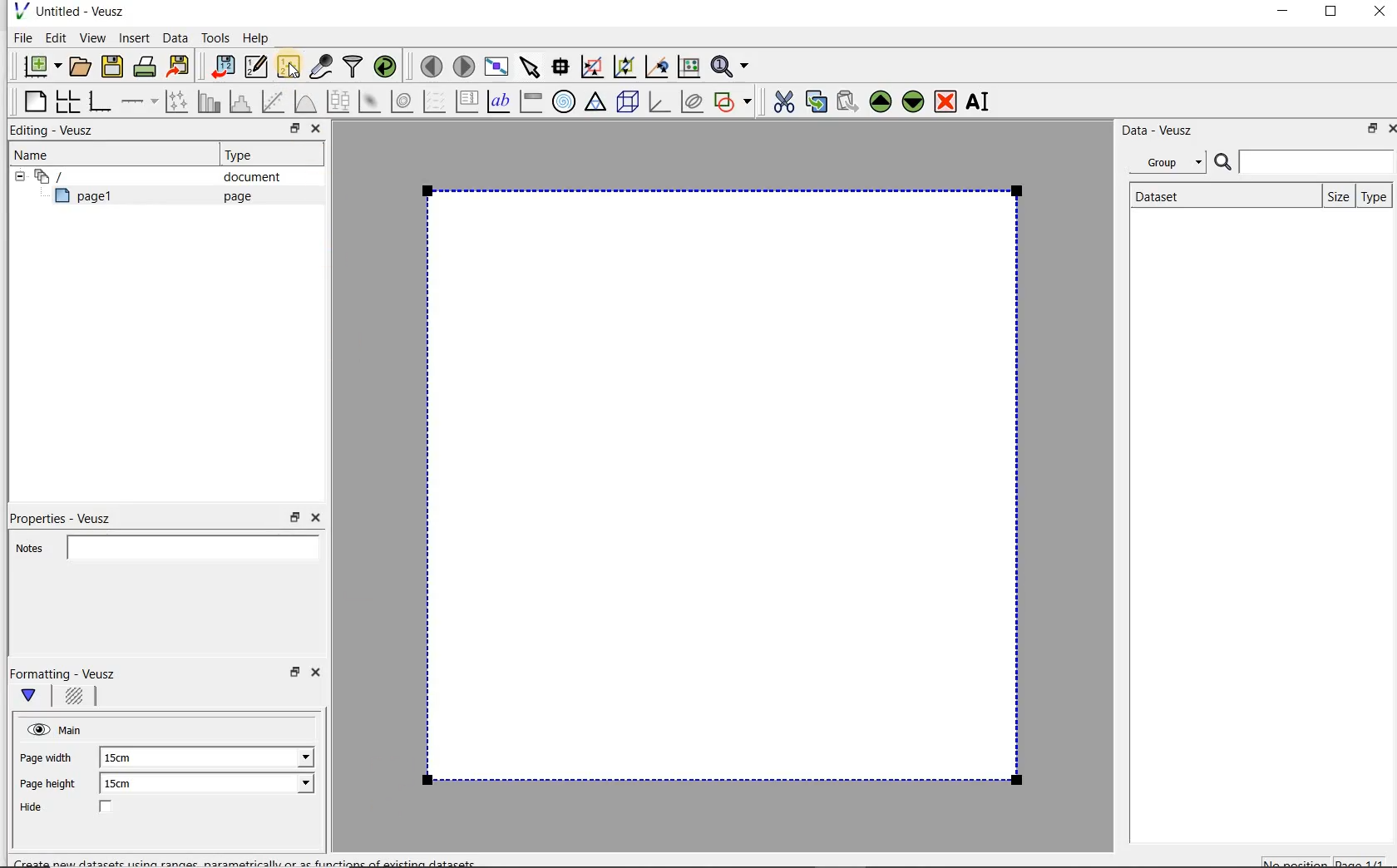 The height and width of the screenshot is (868, 1397). What do you see at coordinates (1389, 127) in the screenshot?
I see `Close` at bounding box center [1389, 127].